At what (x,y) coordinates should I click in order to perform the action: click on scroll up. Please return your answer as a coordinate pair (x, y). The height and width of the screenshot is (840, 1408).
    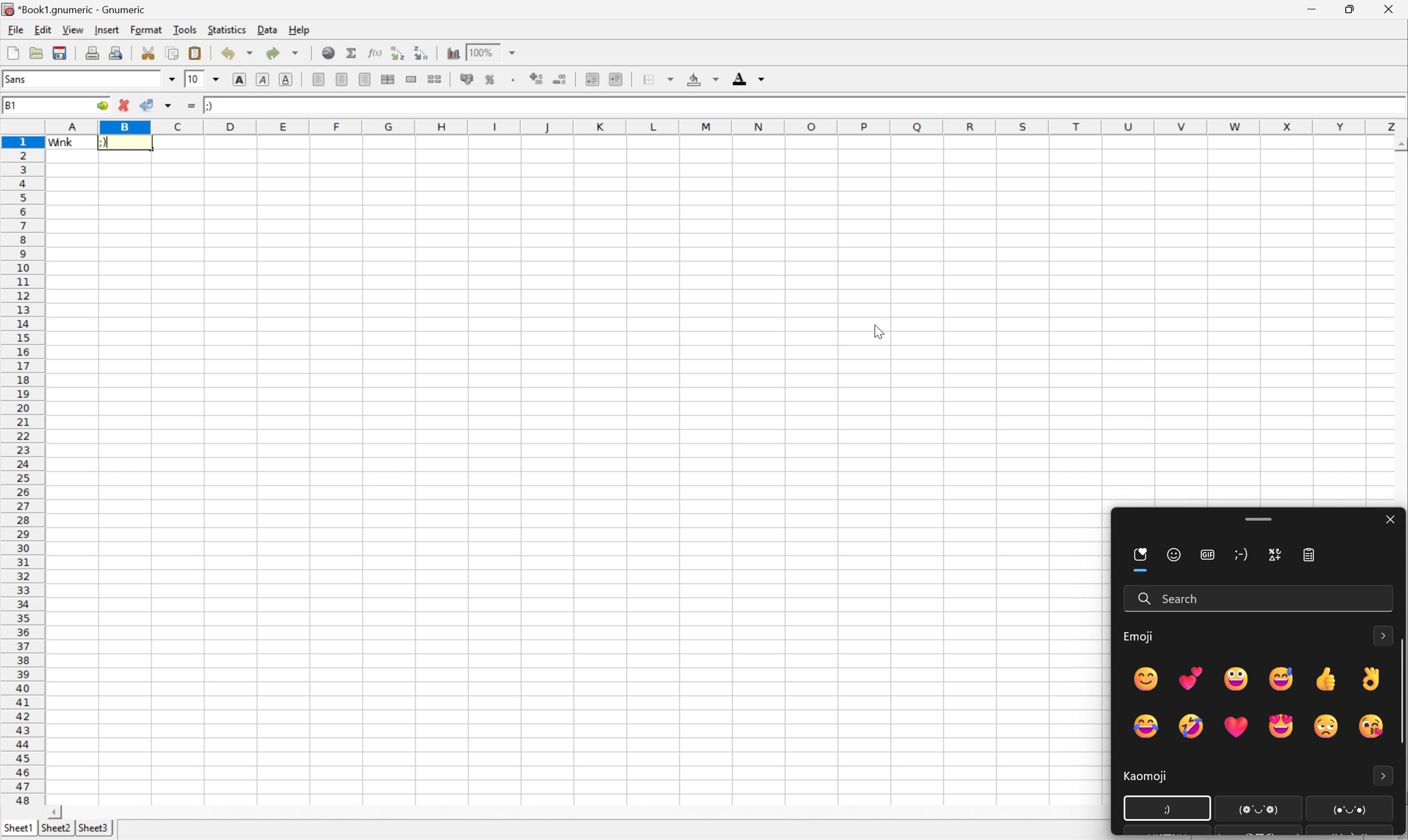
    Looking at the image, I should click on (1399, 144).